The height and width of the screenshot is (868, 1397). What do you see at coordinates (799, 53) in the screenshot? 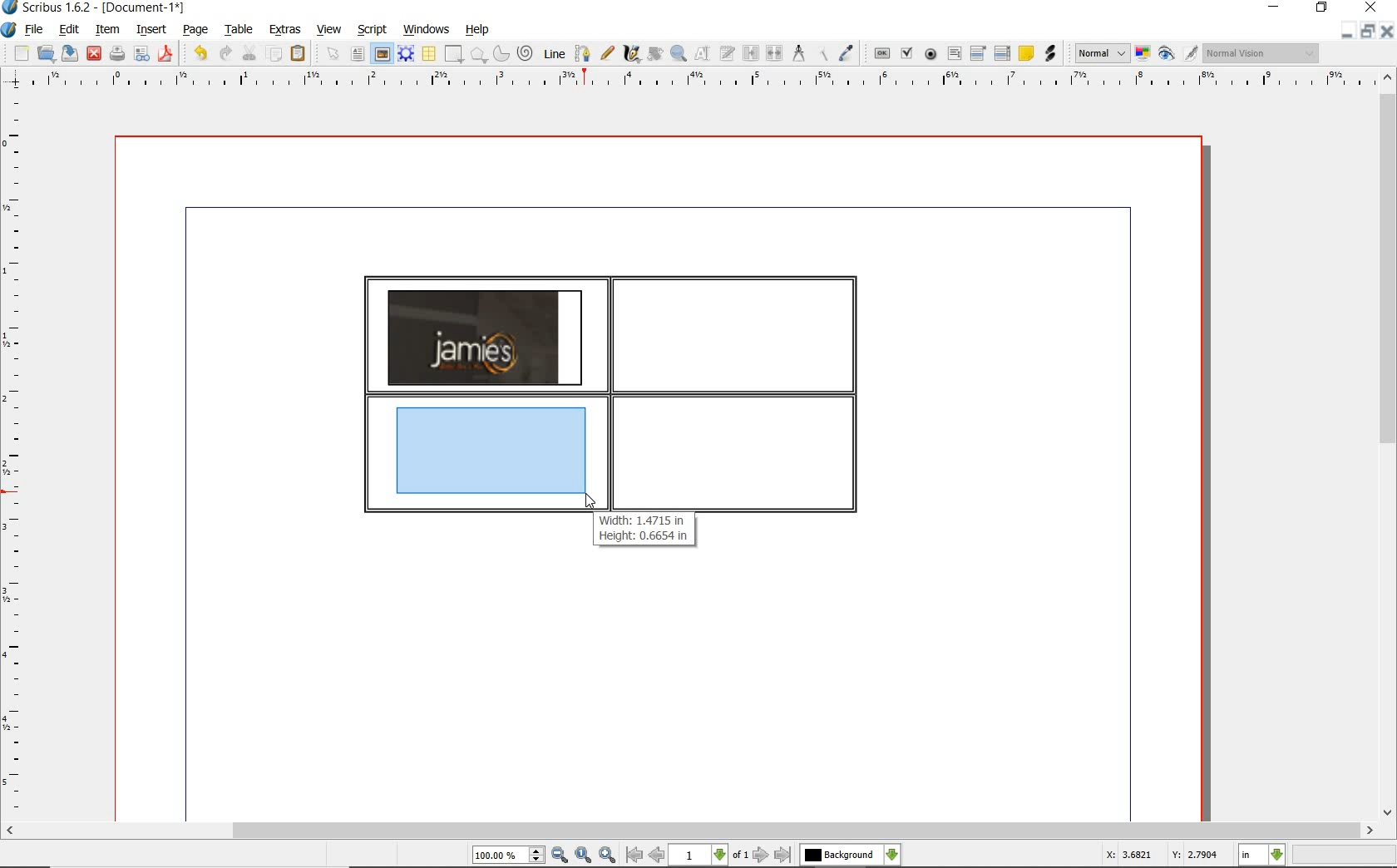
I see `measurements` at bounding box center [799, 53].